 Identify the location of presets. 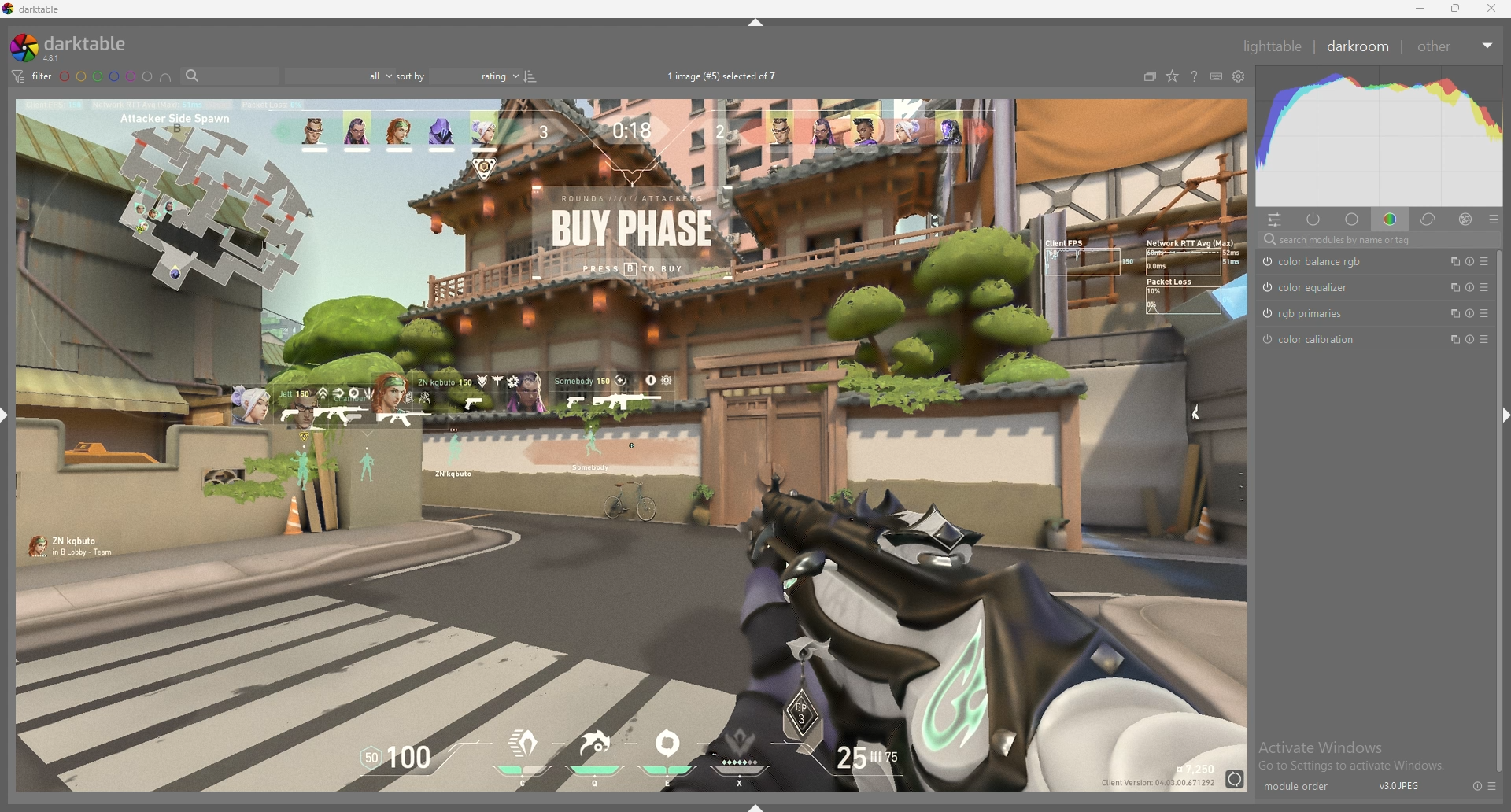
(1483, 313).